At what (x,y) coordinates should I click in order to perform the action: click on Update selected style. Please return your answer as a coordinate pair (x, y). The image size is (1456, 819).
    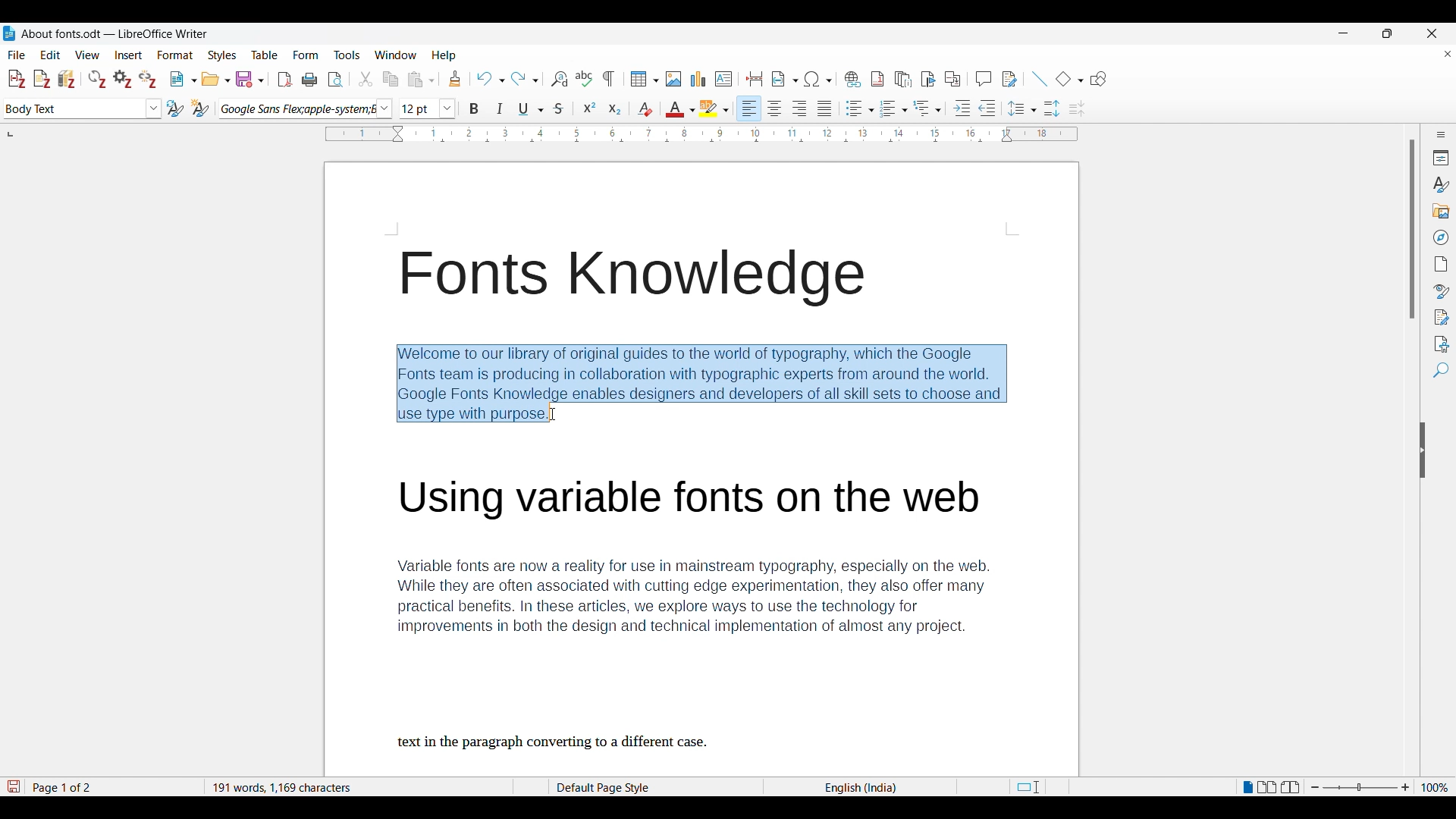
    Looking at the image, I should click on (175, 108).